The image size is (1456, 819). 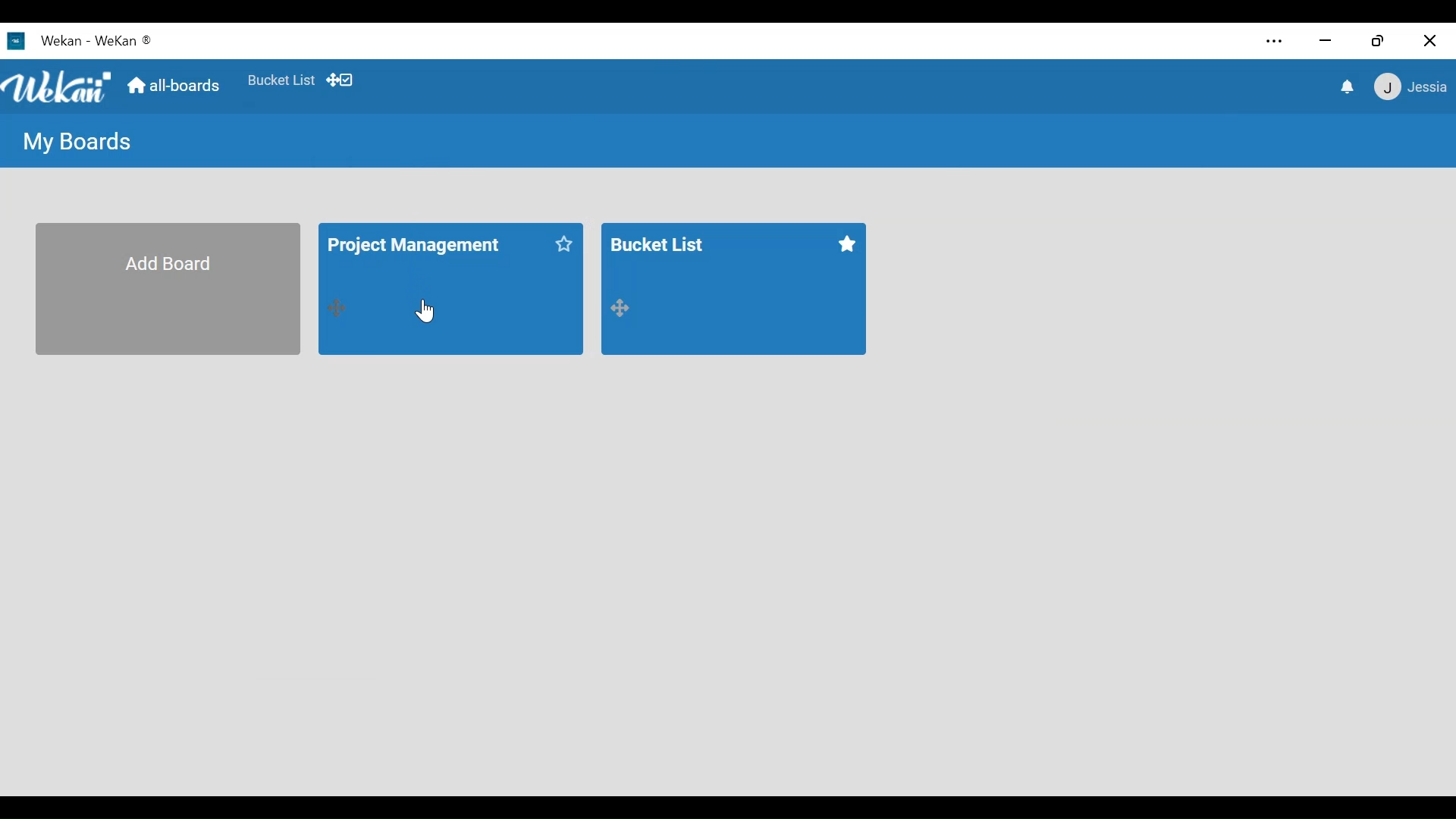 I want to click on board title, so click(x=428, y=246).